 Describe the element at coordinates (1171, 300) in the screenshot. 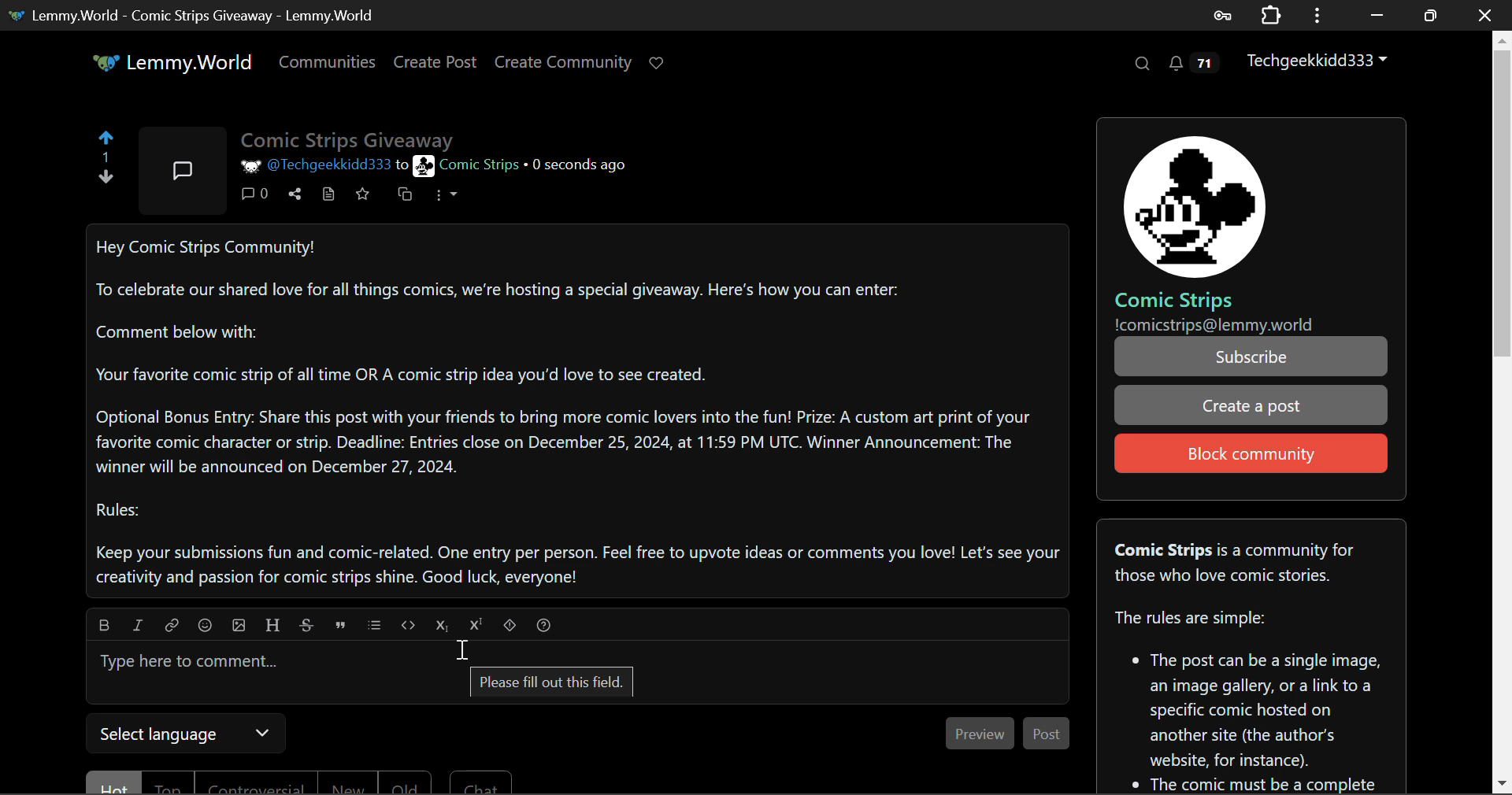

I see `Comic Strips` at that location.